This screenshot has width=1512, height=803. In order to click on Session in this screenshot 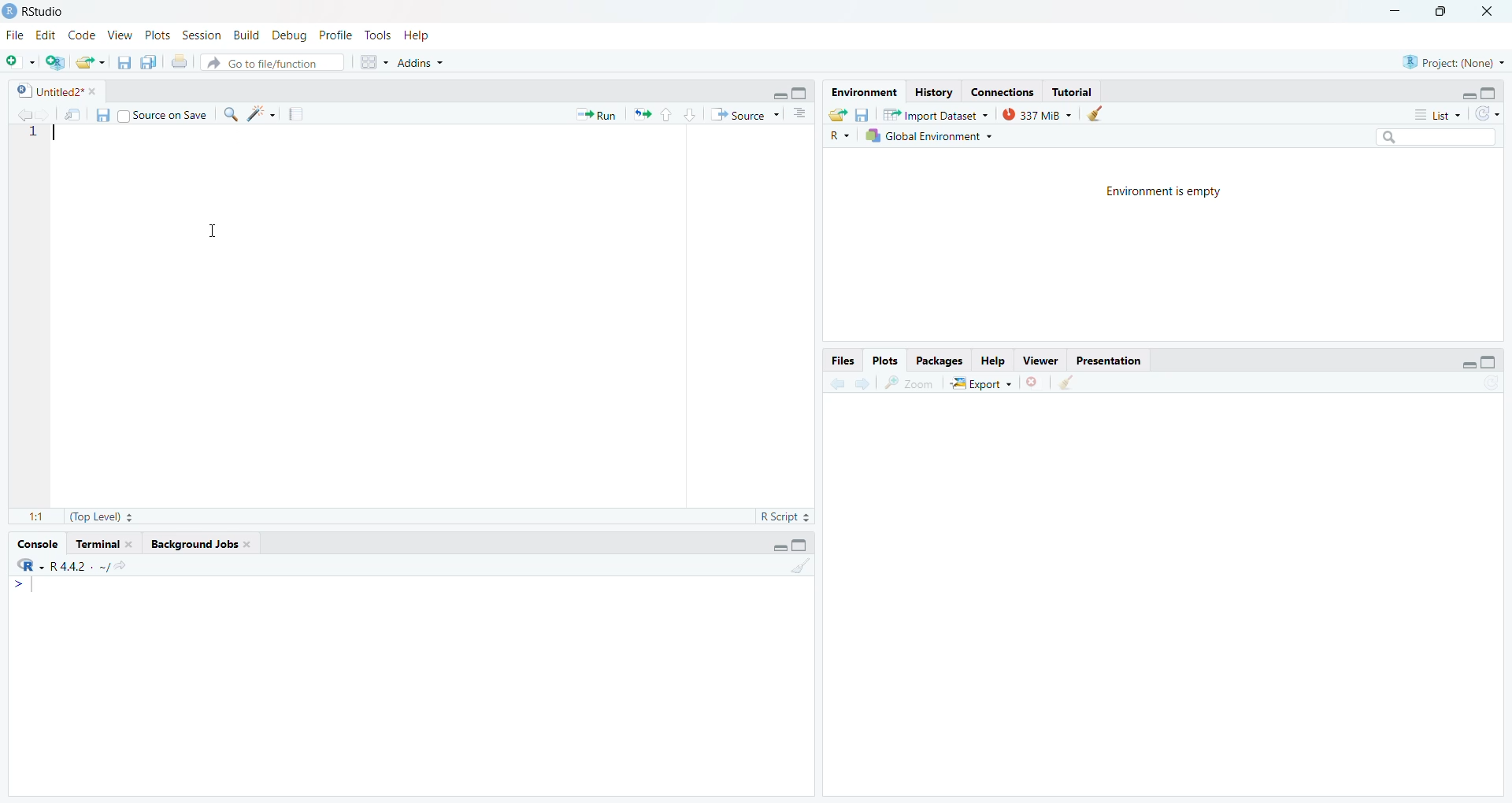, I will do `click(202, 37)`.